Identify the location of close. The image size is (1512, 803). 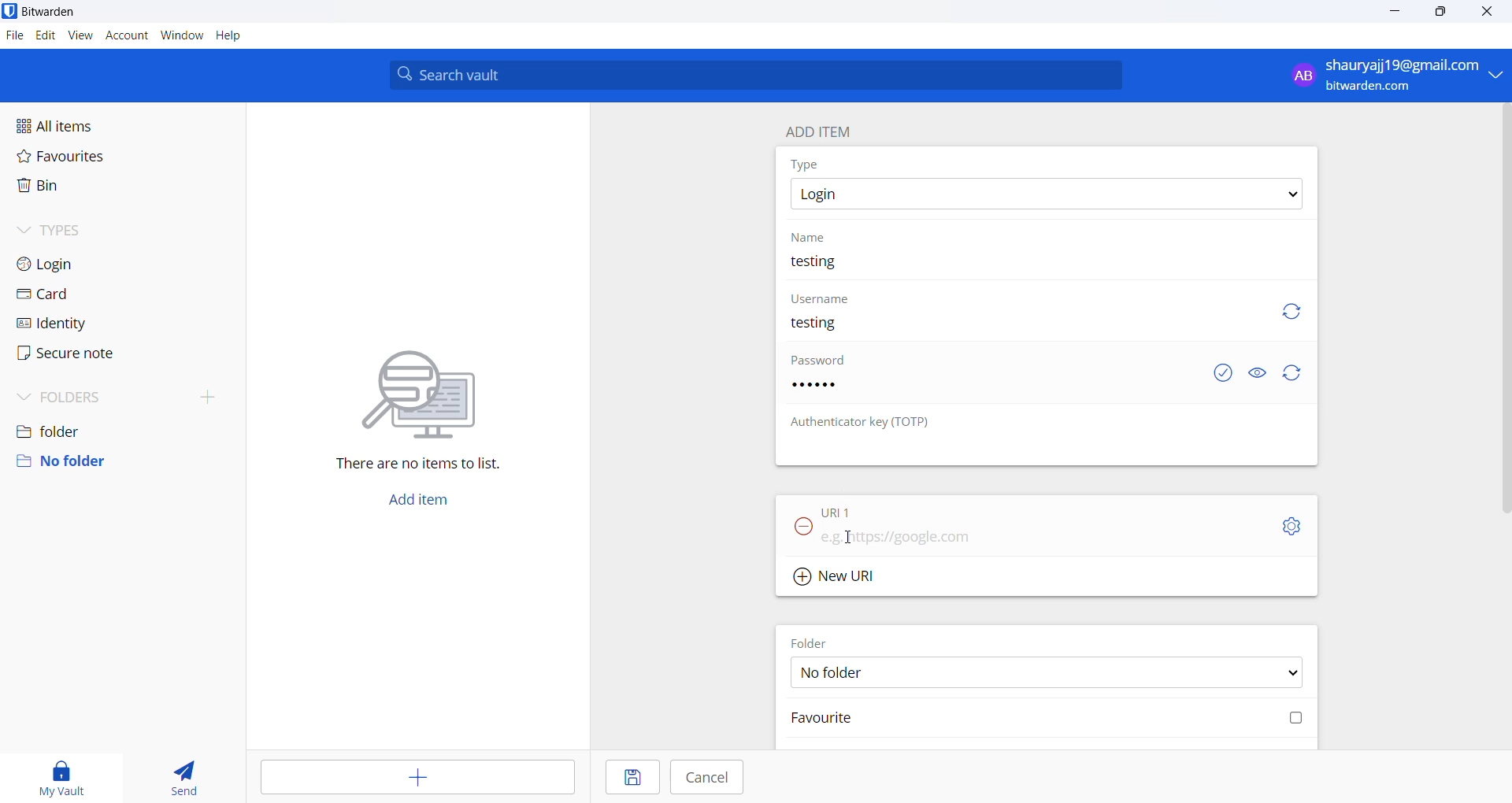
(1484, 11).